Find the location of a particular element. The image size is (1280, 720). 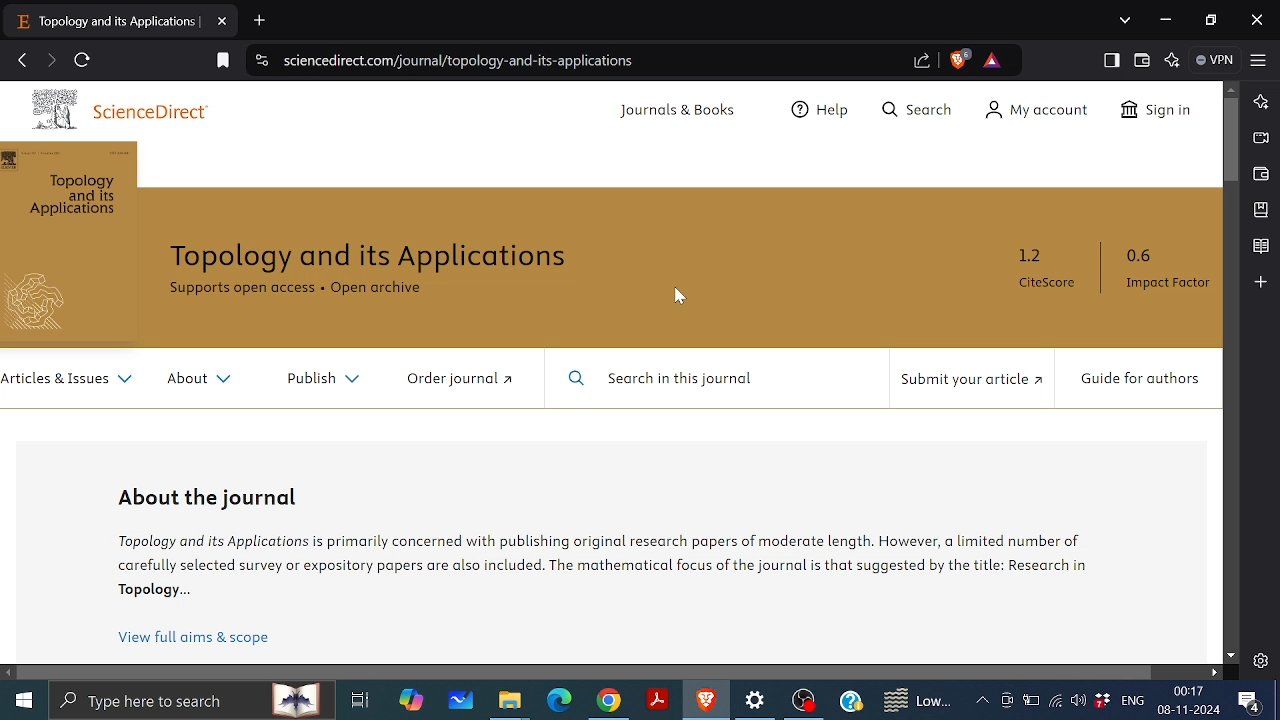

cursor is located at coordinates (682, 297).